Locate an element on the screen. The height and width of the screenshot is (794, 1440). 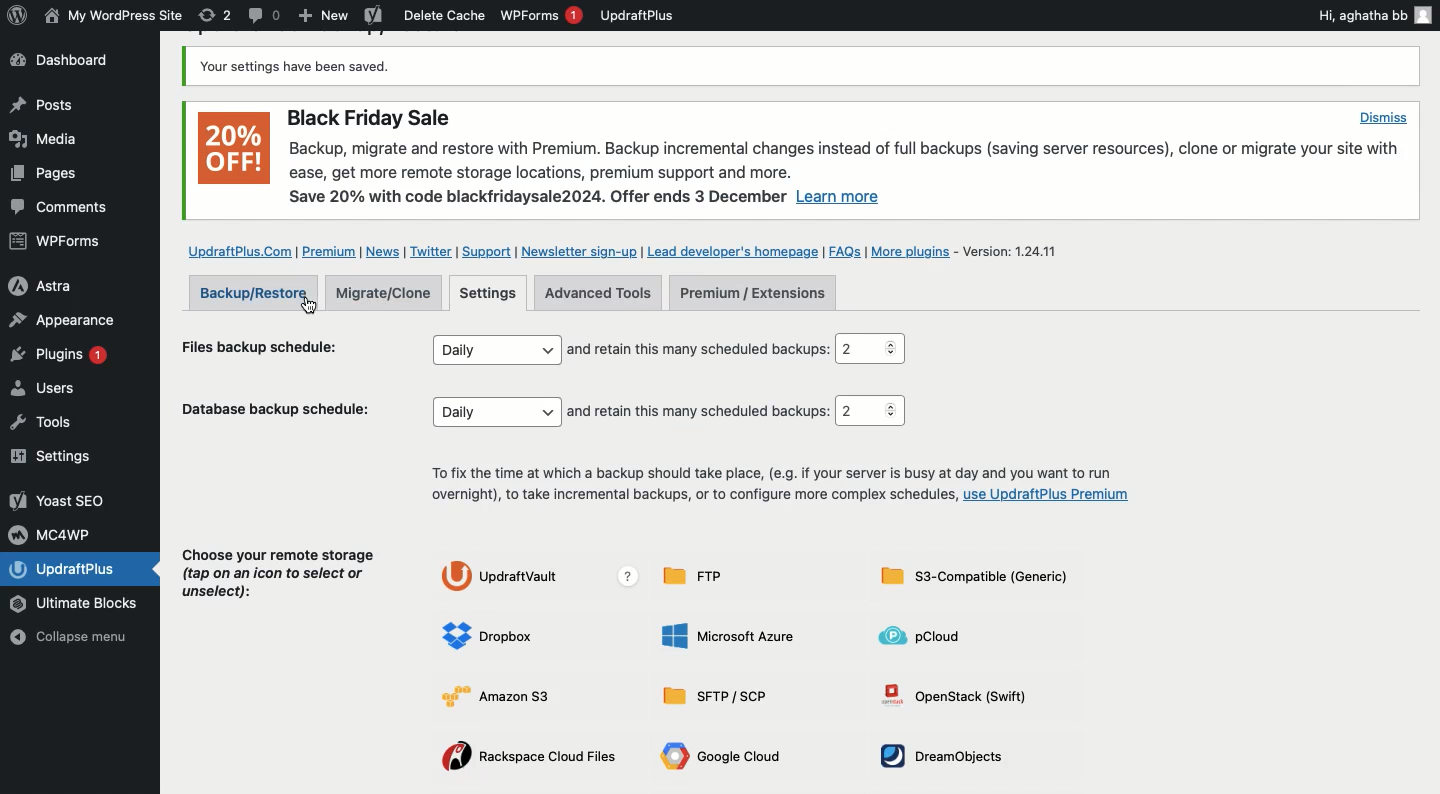
FAQs is located at coordinates (846, 250).